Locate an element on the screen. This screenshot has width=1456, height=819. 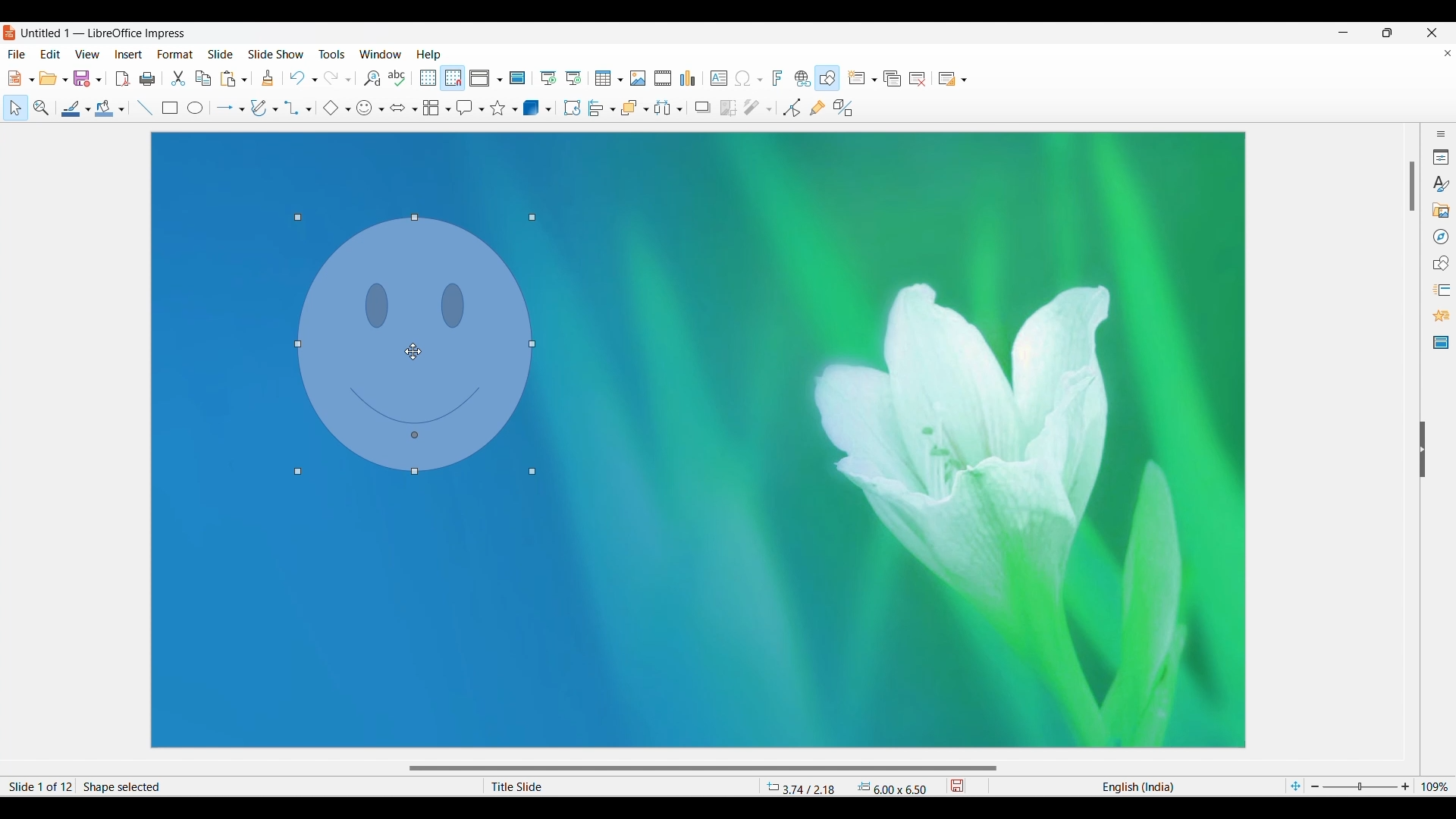
Redo specific action is located at coordinates (348, 80).